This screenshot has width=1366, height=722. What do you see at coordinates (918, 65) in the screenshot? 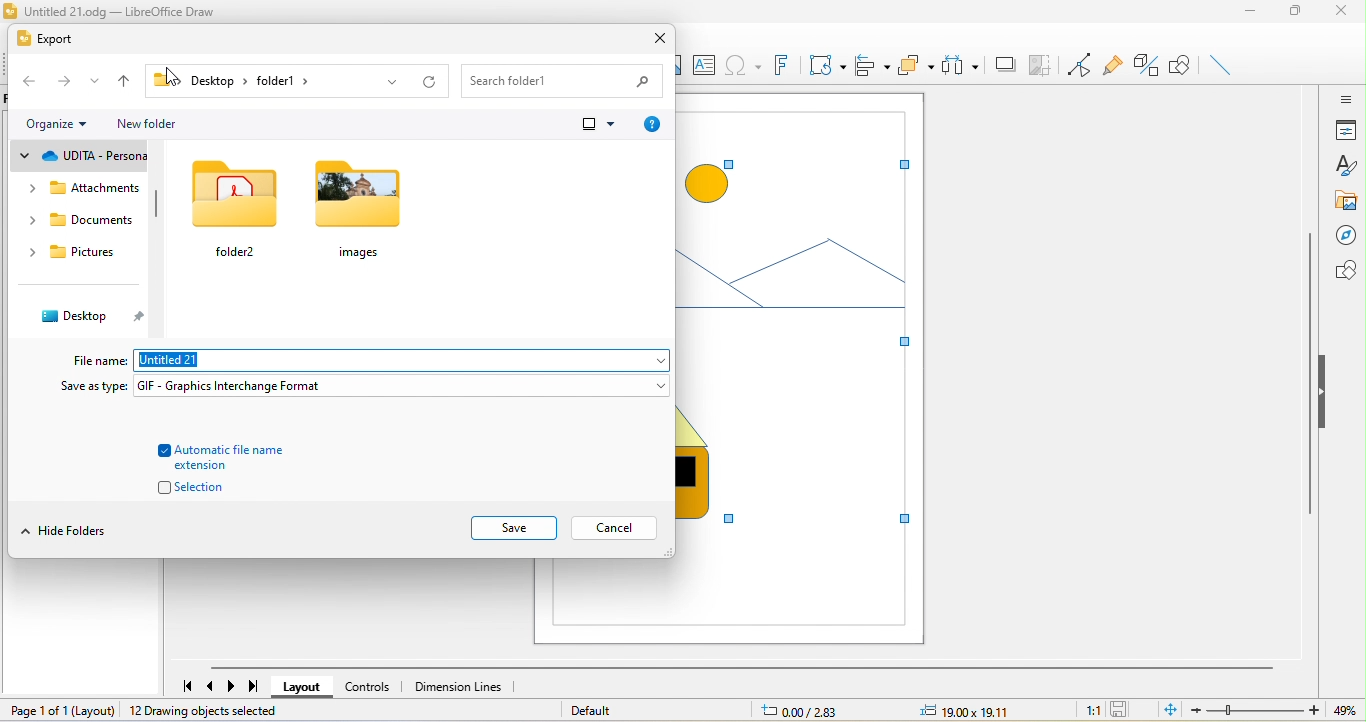
I see `arrange` at bounding box center [918, 65].